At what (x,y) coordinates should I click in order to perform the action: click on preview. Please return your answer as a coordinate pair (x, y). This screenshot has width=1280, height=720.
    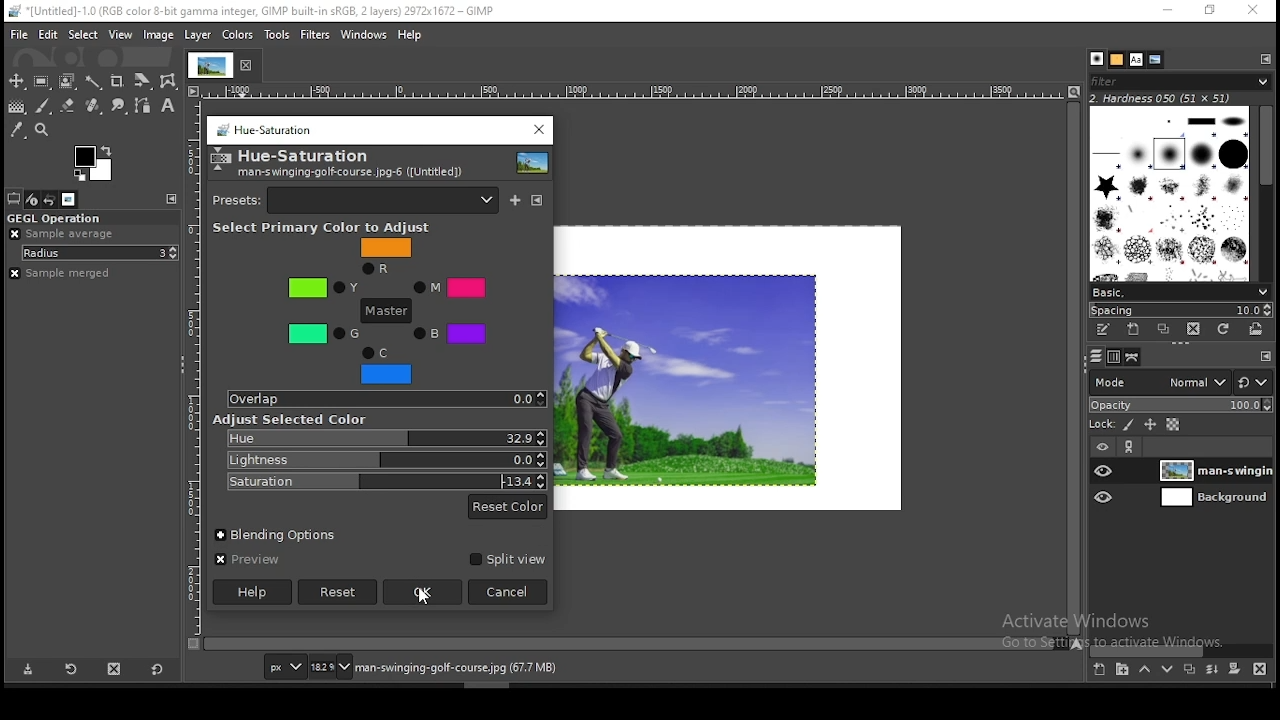
    Looking at the image, I should click on (248, 560).